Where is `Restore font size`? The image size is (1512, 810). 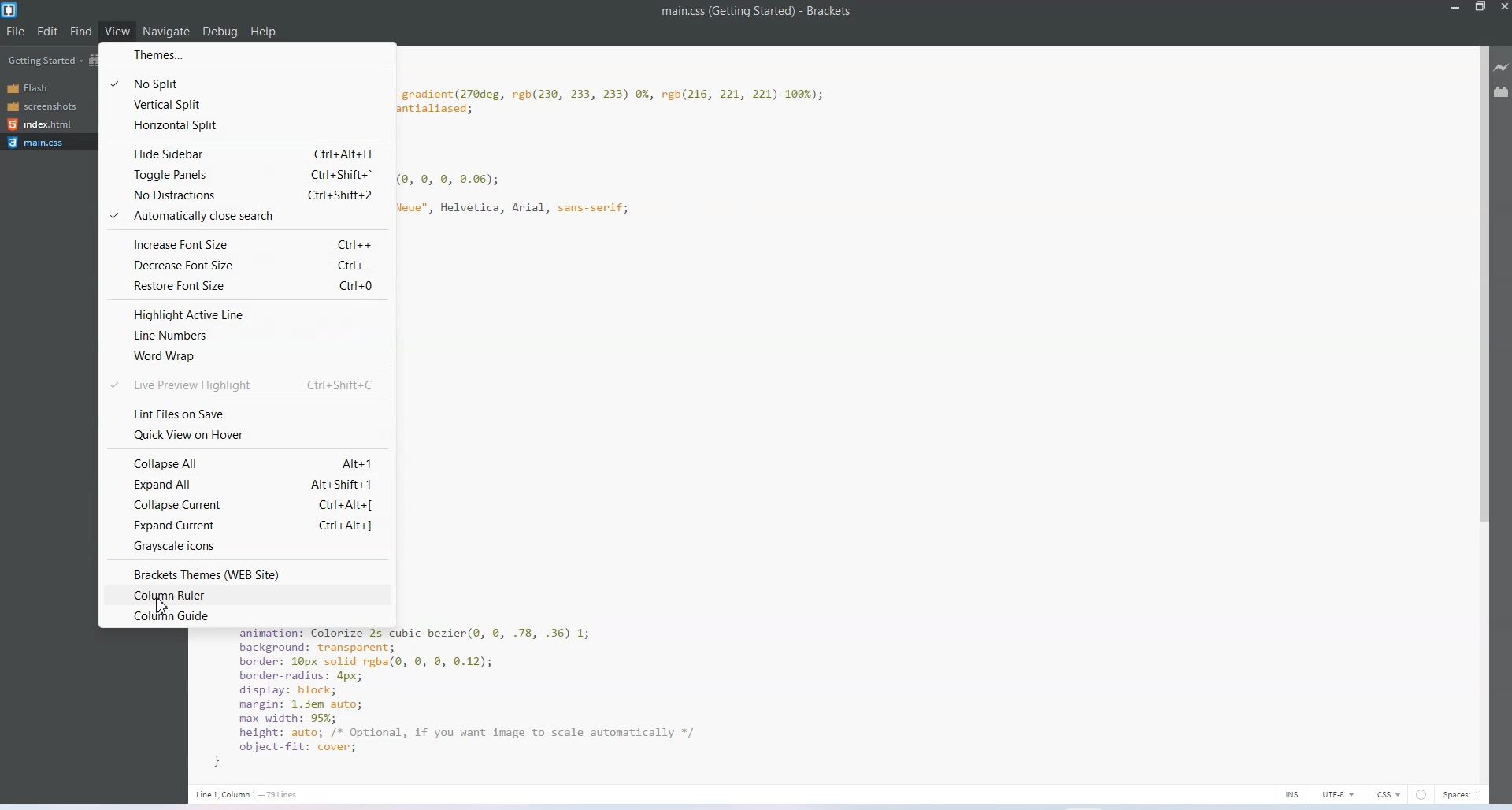
Restore font size is located at coordinates (246, 288).